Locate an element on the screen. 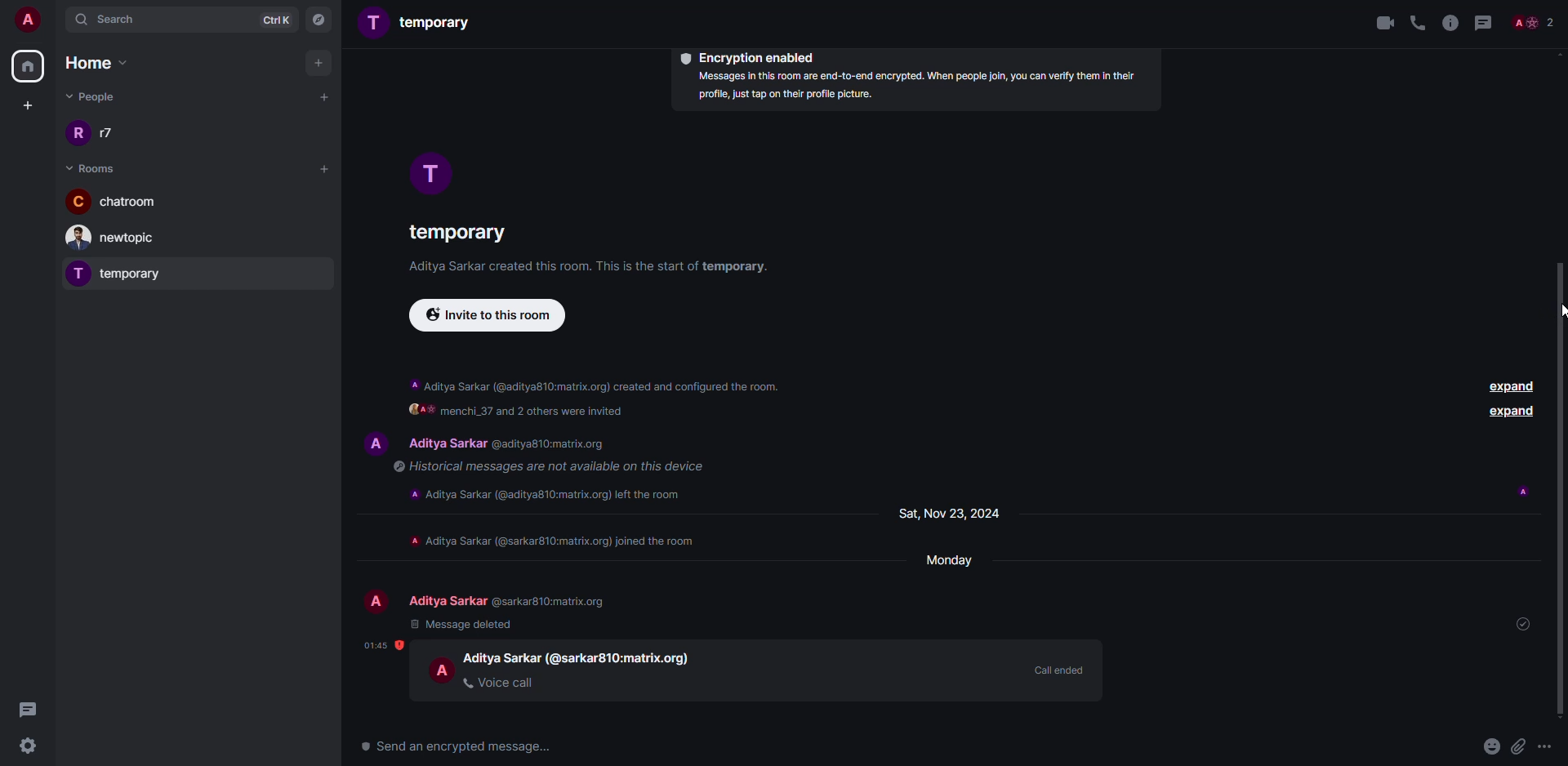 The image size is (1568, 766). ‘A Aditya Sarkar (@aditya810:matrix.org) left the room is located at coordinates (541, 495).